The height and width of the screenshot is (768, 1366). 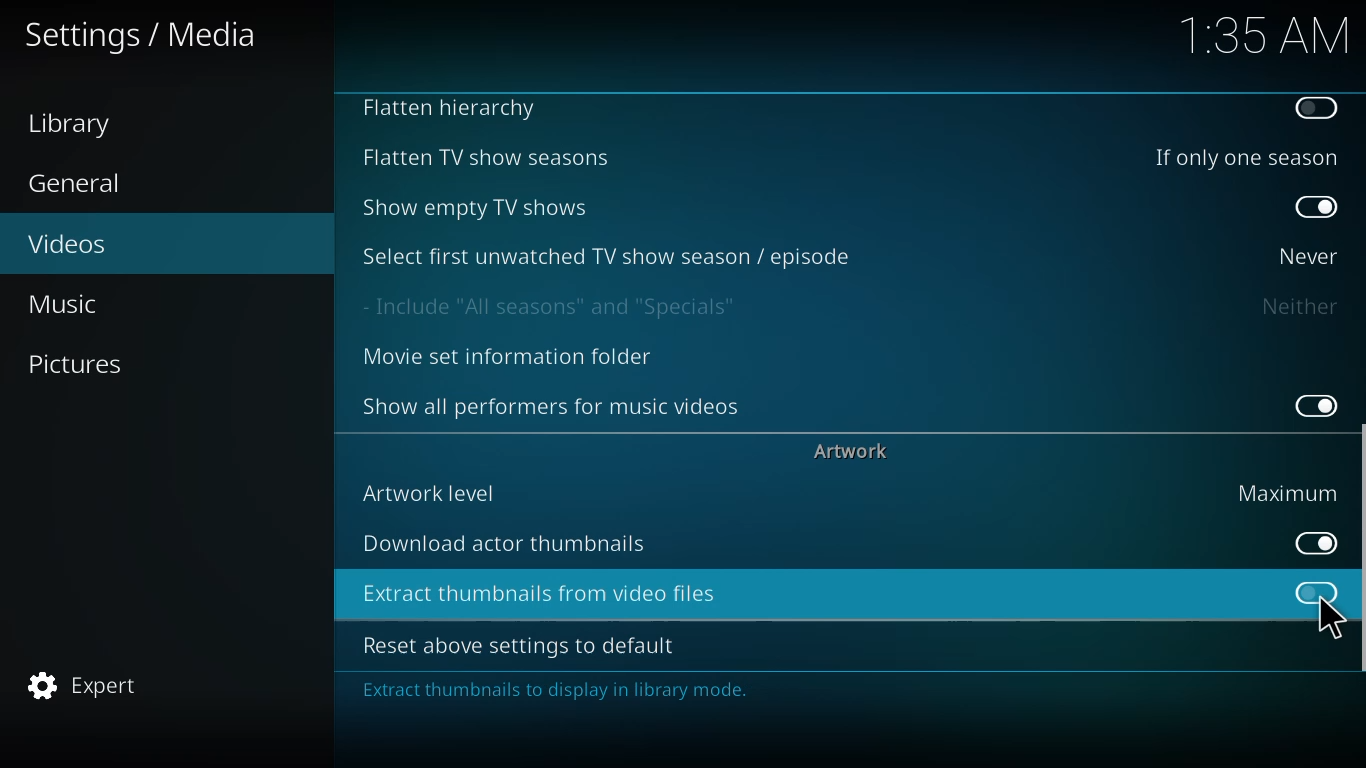 I want to click on select first unwanted TV show, so click(x=609, y=255).